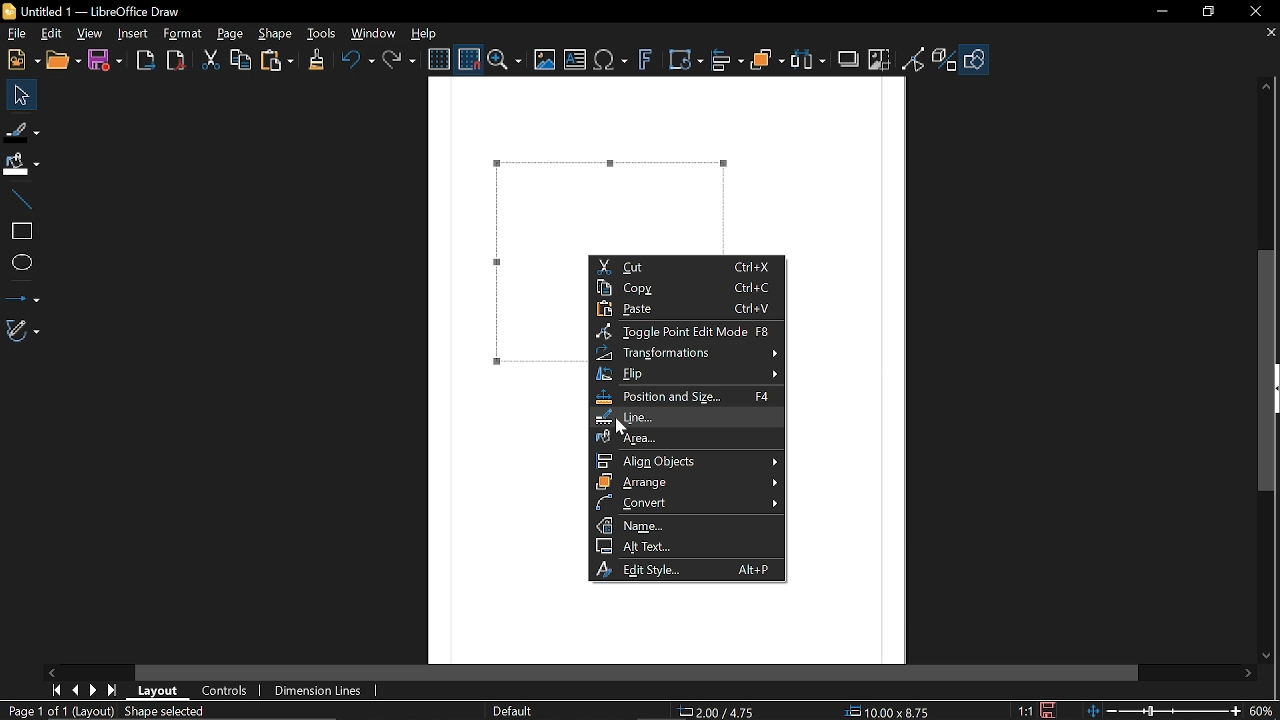 The height and width of the screenshot is (720, 1280). Describe the element at coordinates (53, 34) in the screenshot. I see `Edit` at that location.